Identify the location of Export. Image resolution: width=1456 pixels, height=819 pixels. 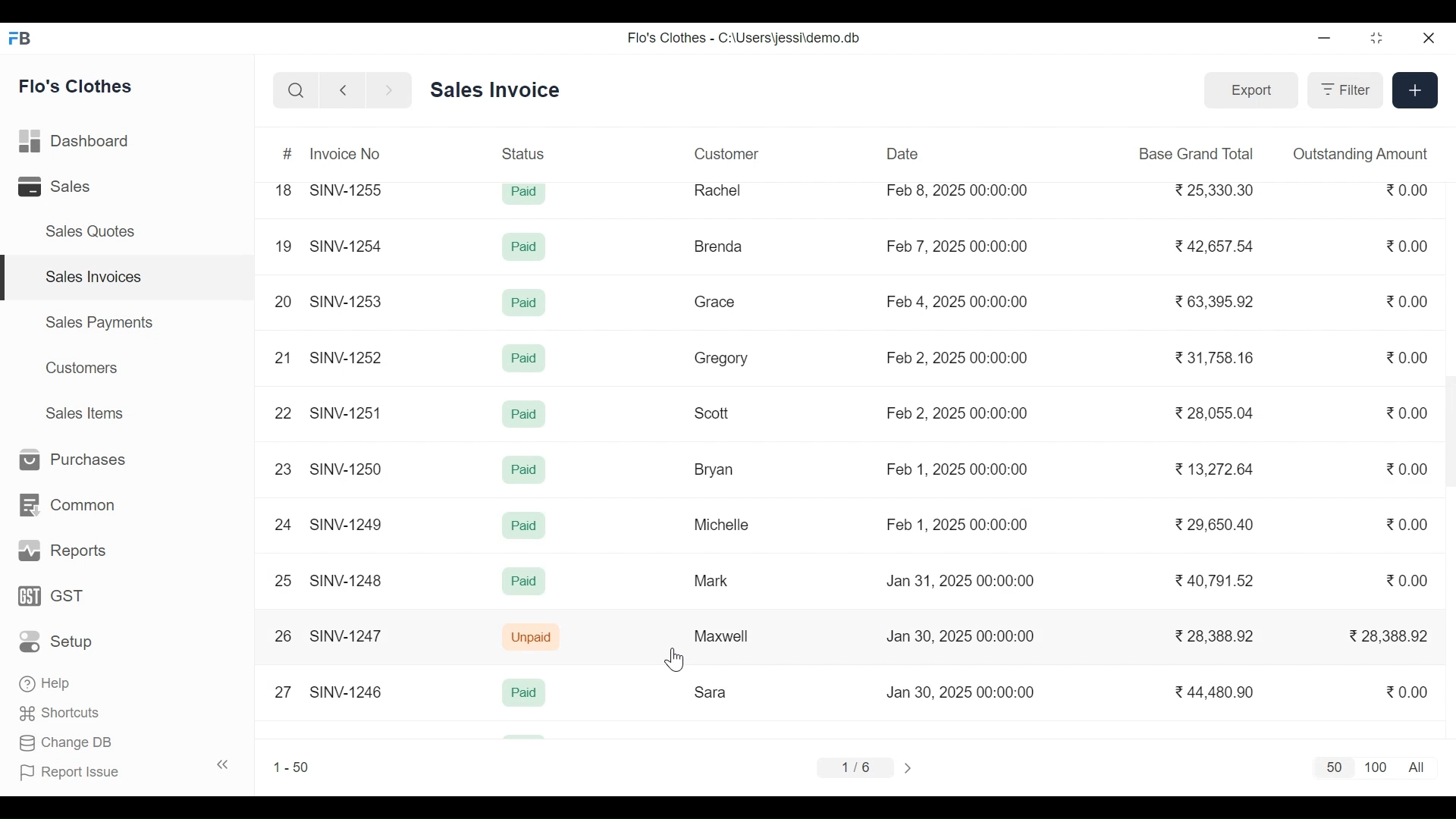
(1248, 89).